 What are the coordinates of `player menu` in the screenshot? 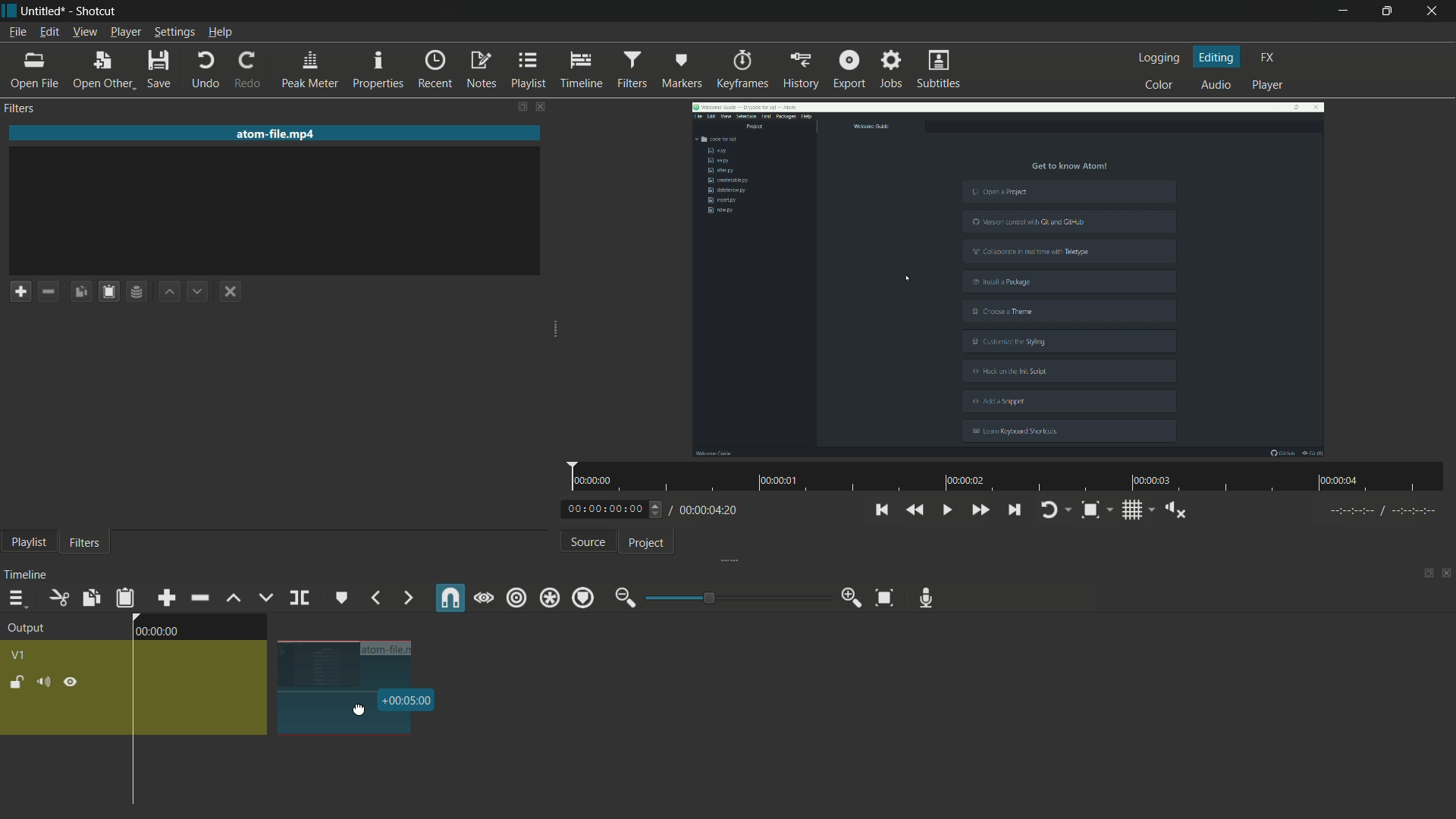 It's located at (126, 32).